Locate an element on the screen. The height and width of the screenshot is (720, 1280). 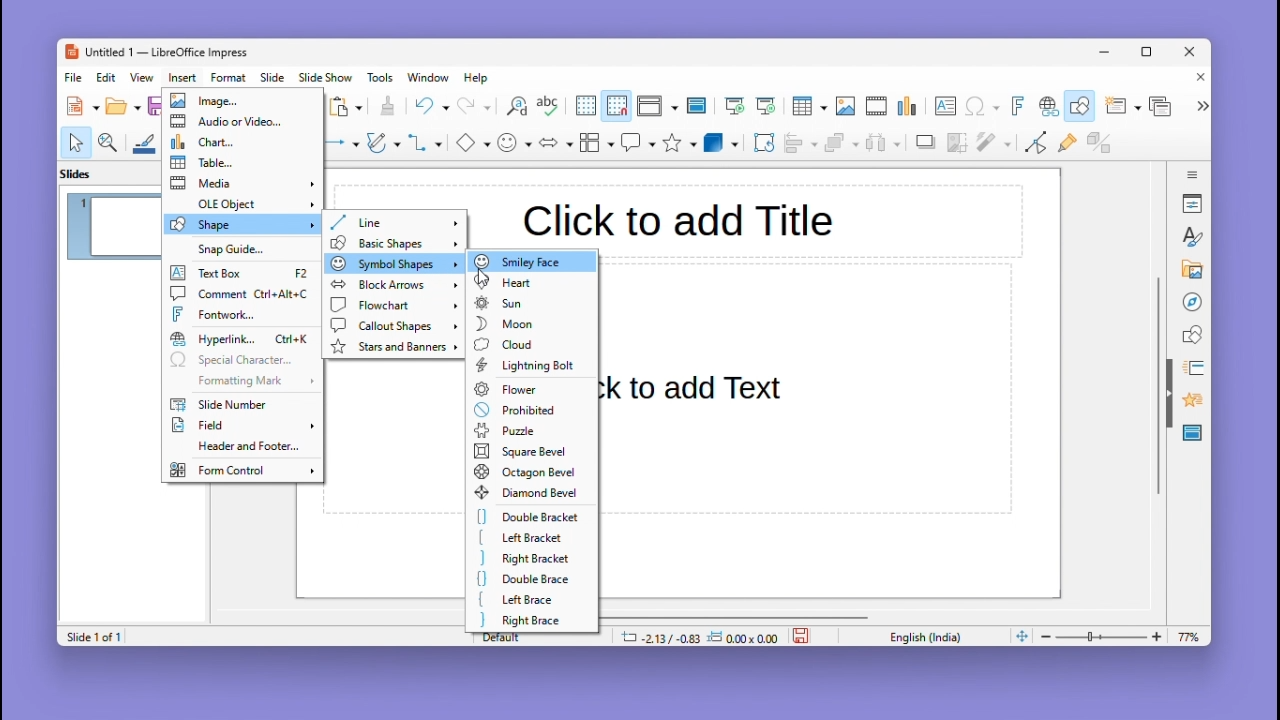
Right brace is located at coordinates (530, 620).